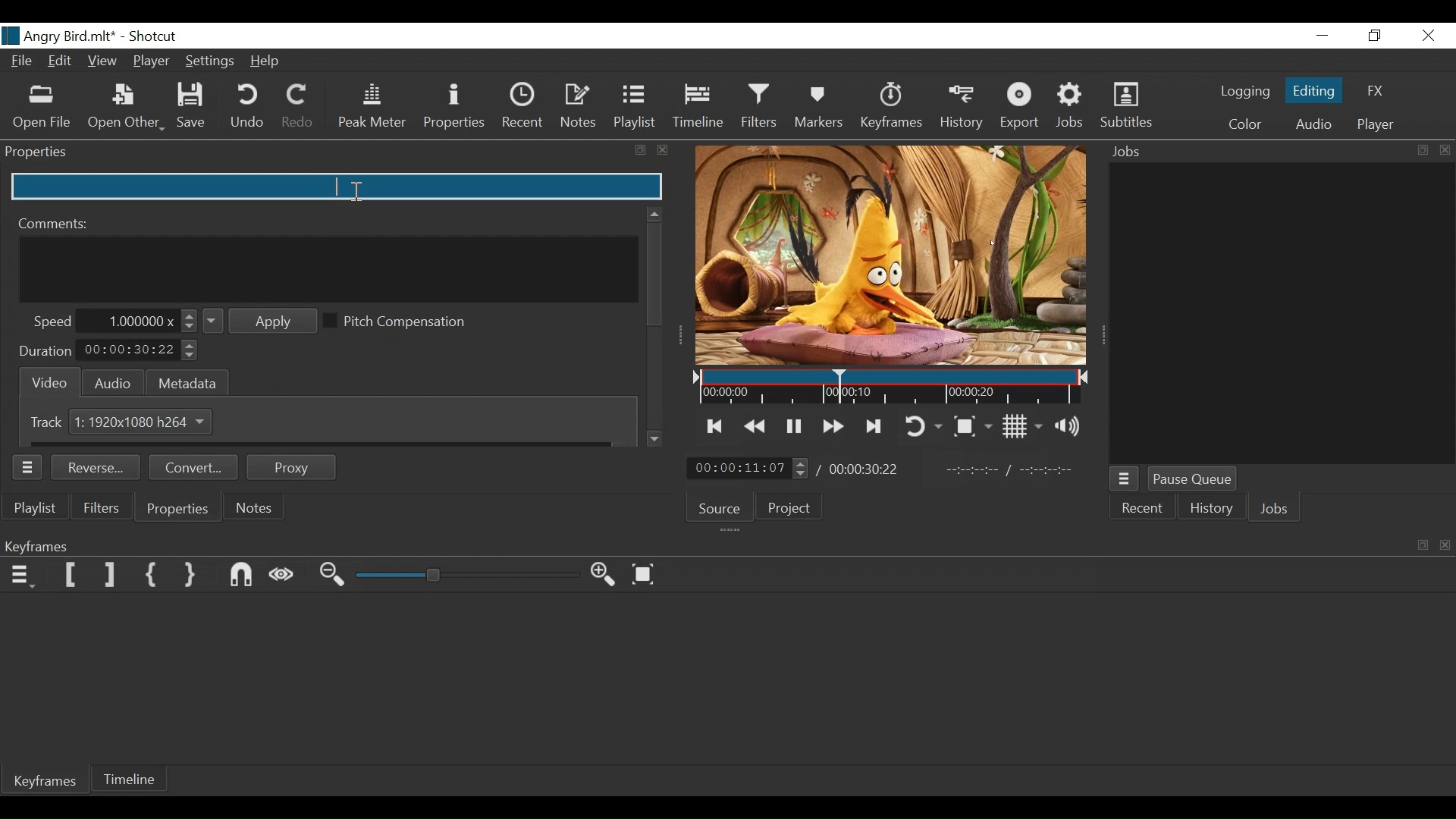 This screenshot has width=1456, height=819. I want to click on Skip to the next point, so click(716, 426).